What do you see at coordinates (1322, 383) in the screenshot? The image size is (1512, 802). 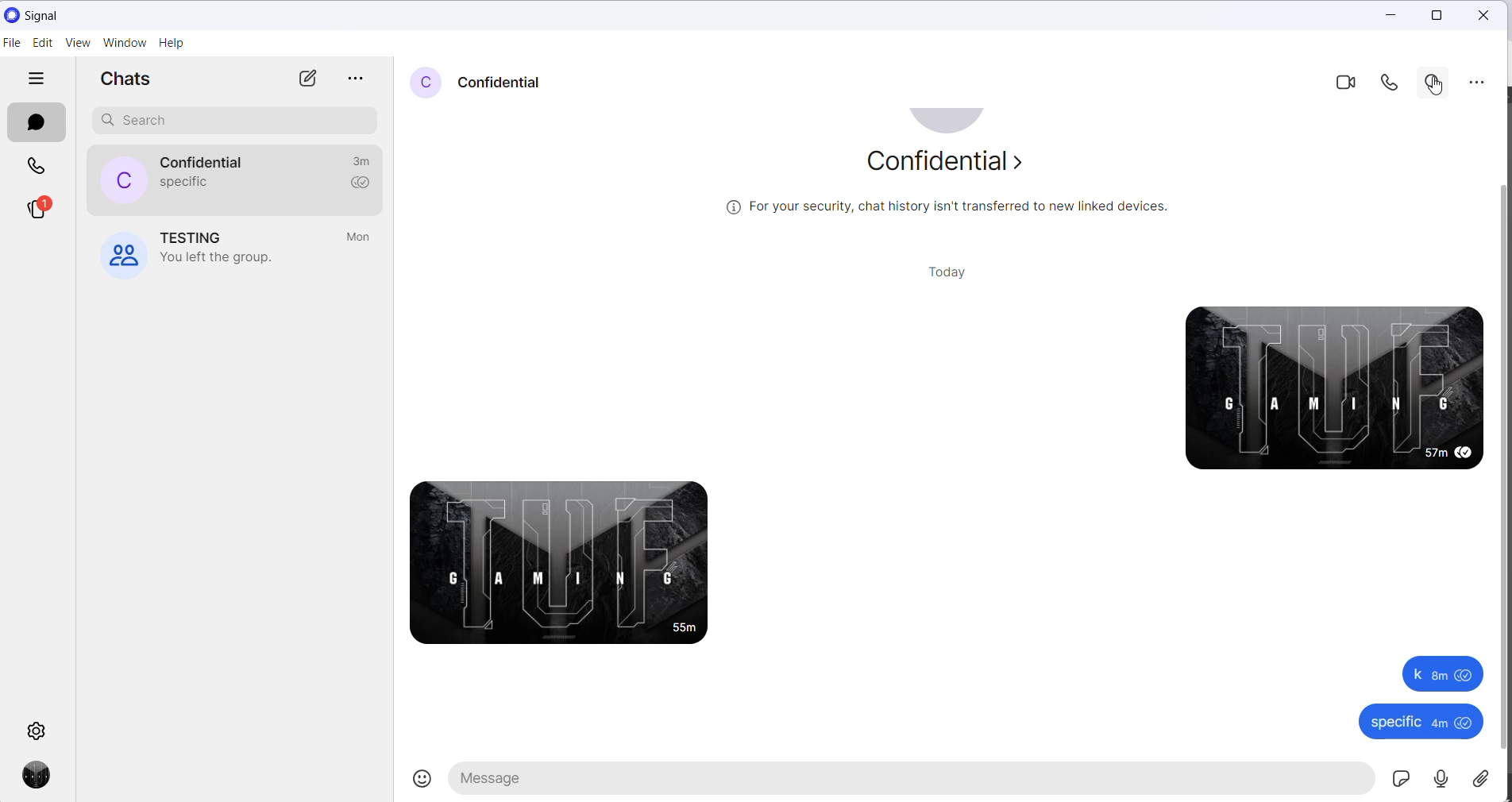 I see `sent messages` at bounding box center [1322, 383].